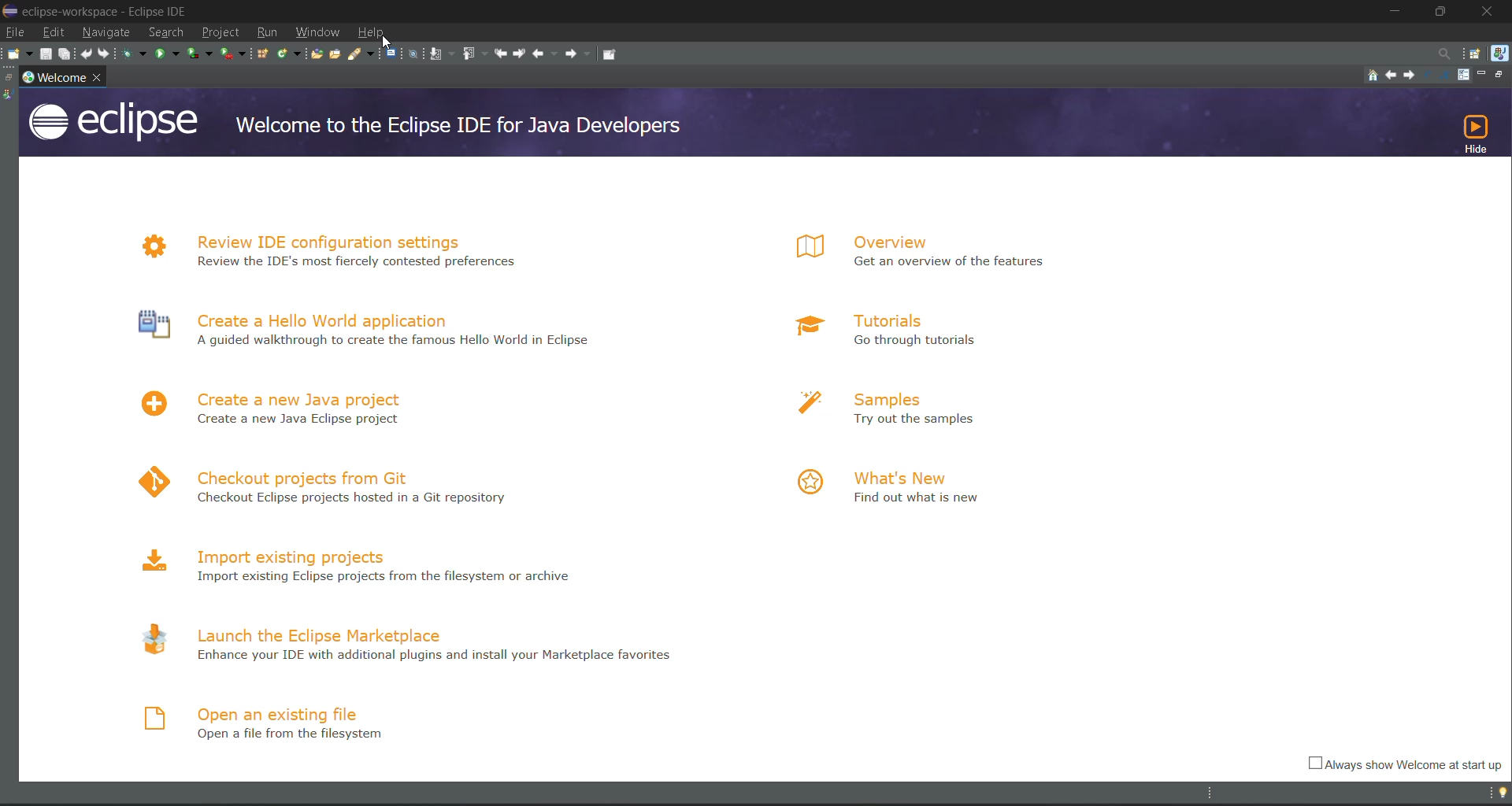 This screenshot has height=806, width=1512. I want to click on maximize, so click(1443, 14).